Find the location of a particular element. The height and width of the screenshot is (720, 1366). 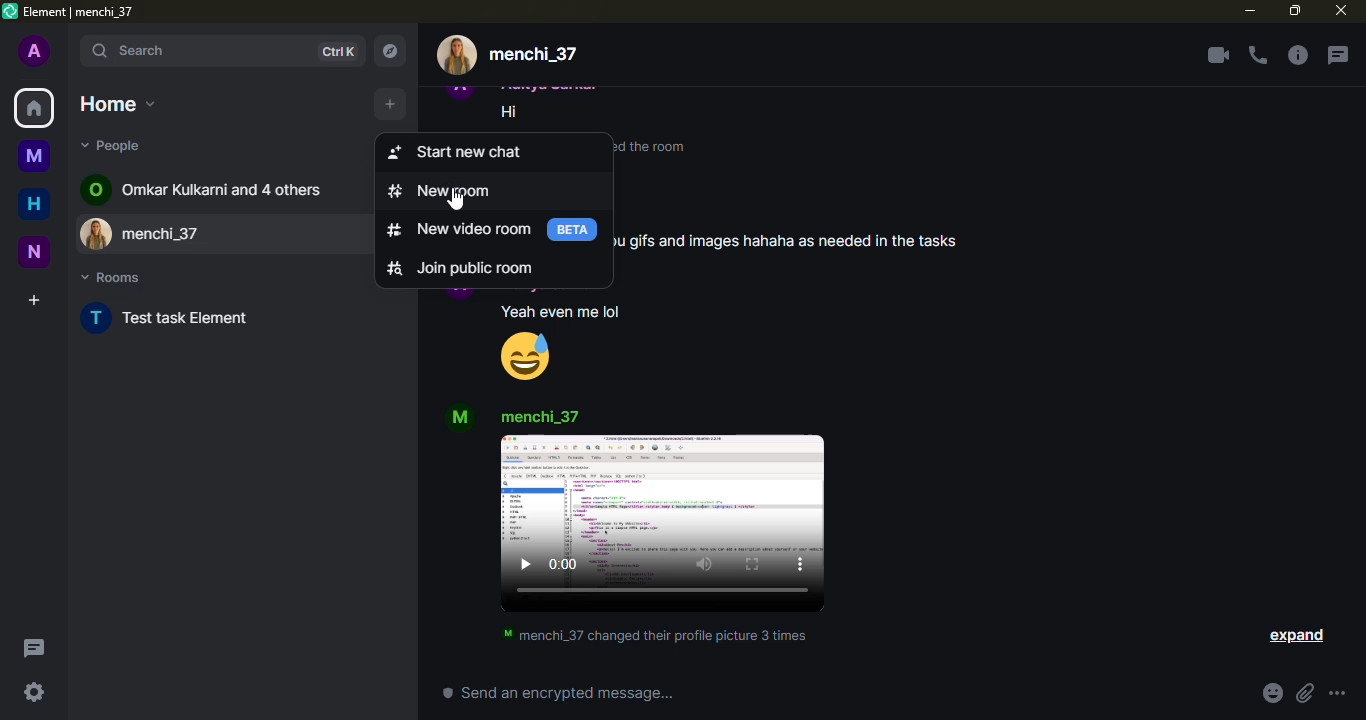

menchi_37 is located at coordinates (539, 417).